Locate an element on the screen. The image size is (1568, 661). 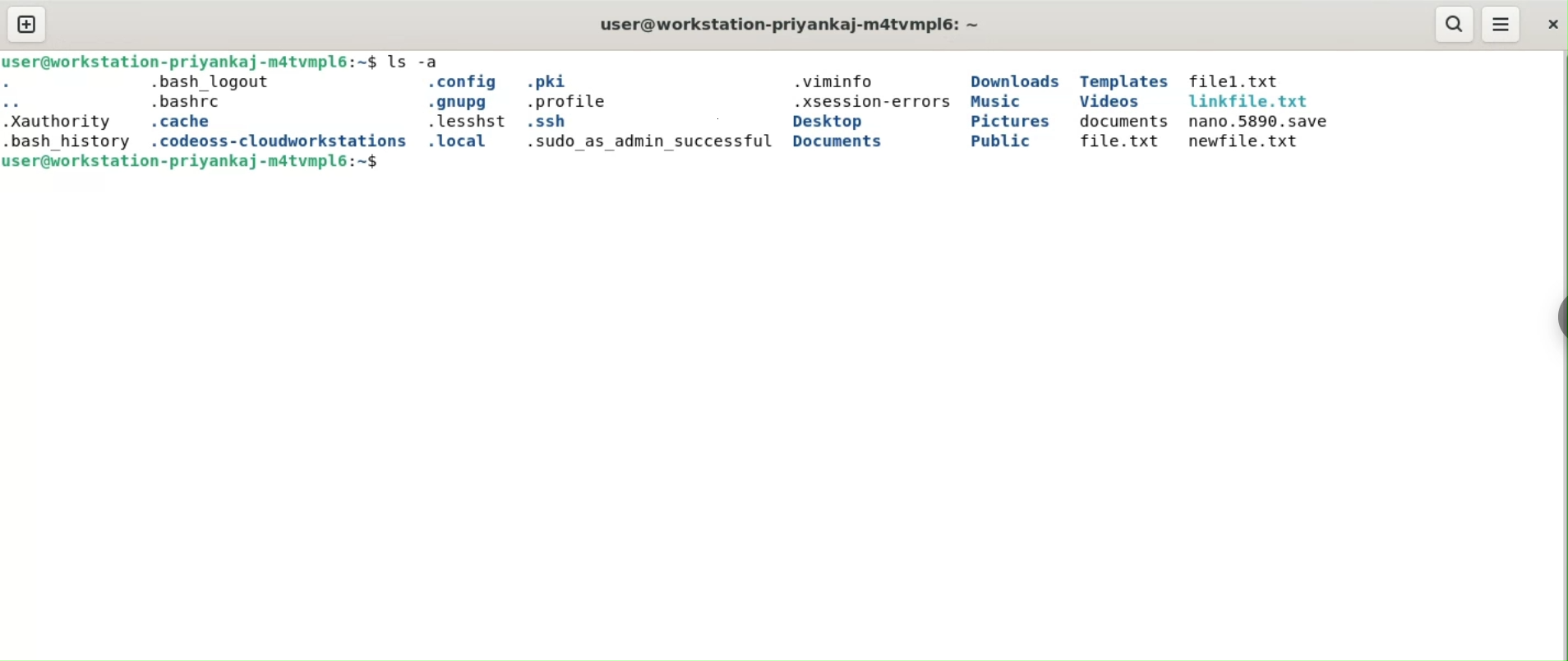
close is located at coordinates (1552, 25).